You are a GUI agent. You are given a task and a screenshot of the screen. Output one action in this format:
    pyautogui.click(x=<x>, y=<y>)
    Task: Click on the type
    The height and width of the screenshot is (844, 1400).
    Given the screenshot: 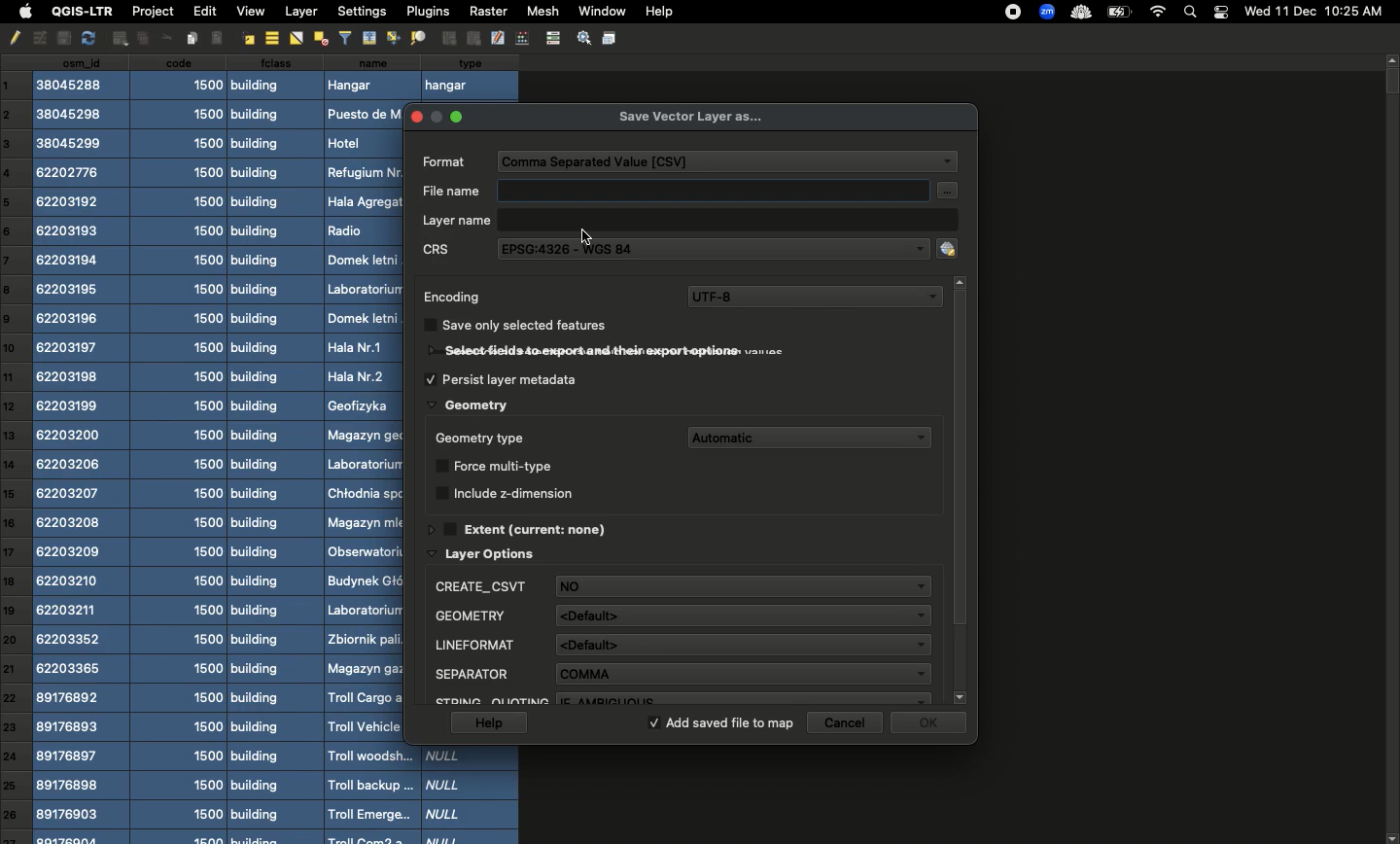 What is the action you would take?
    pyautogui.click(x=471, y=74)
    